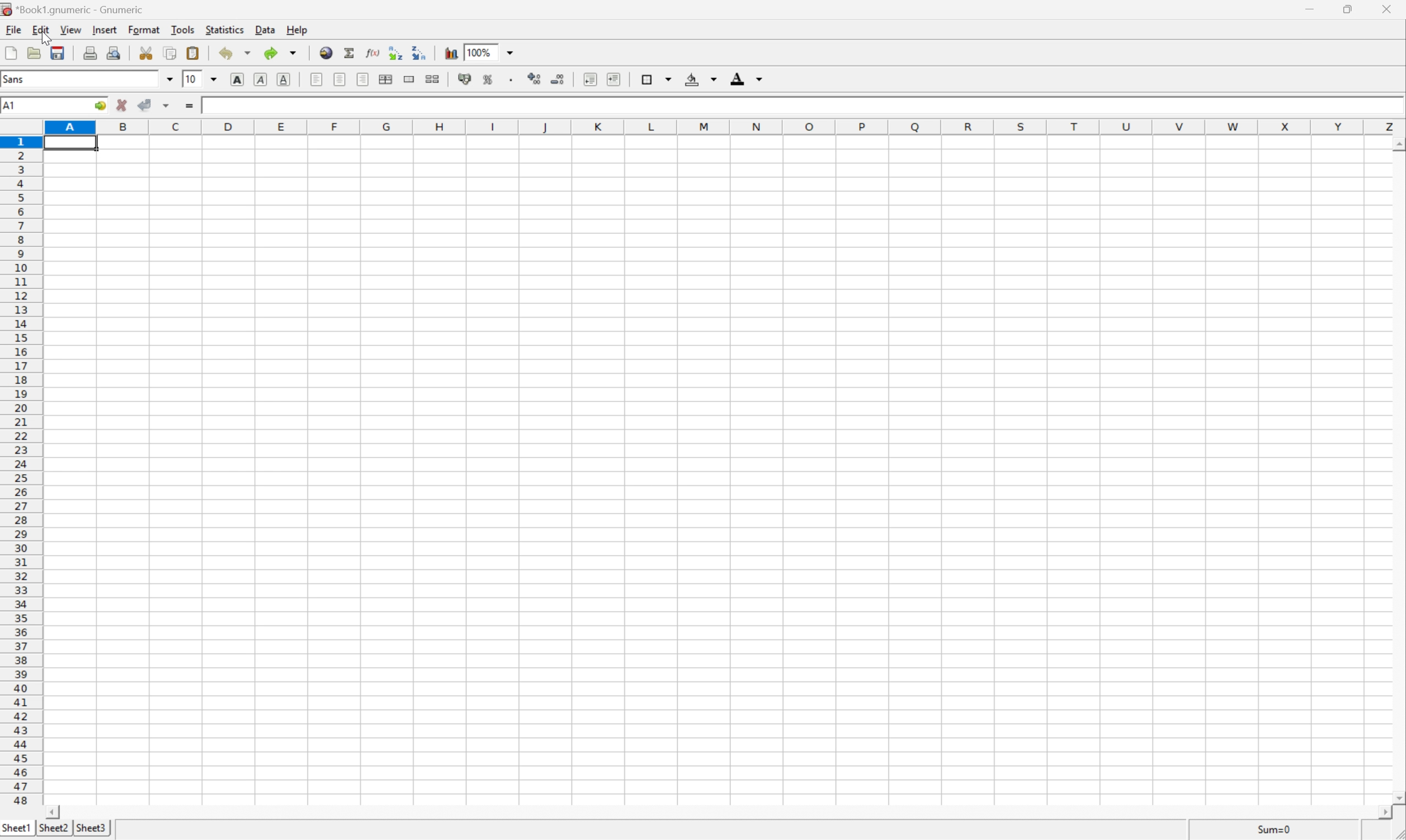 The image size is (1406, 840). I want to click on insert hyperlink, so click(325, 53).